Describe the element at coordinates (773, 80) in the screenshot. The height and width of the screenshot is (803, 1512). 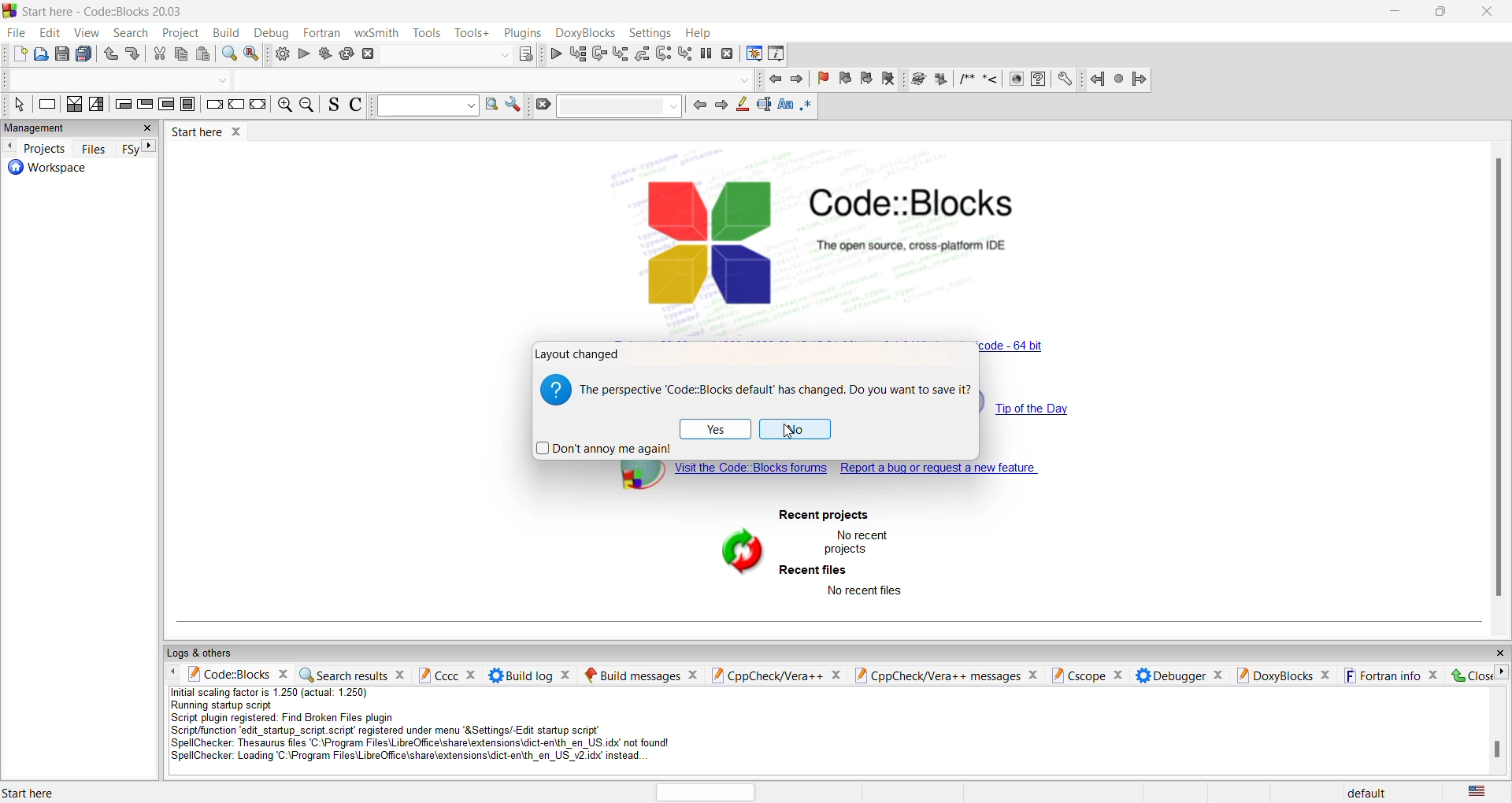
I see `jump back` at that location.